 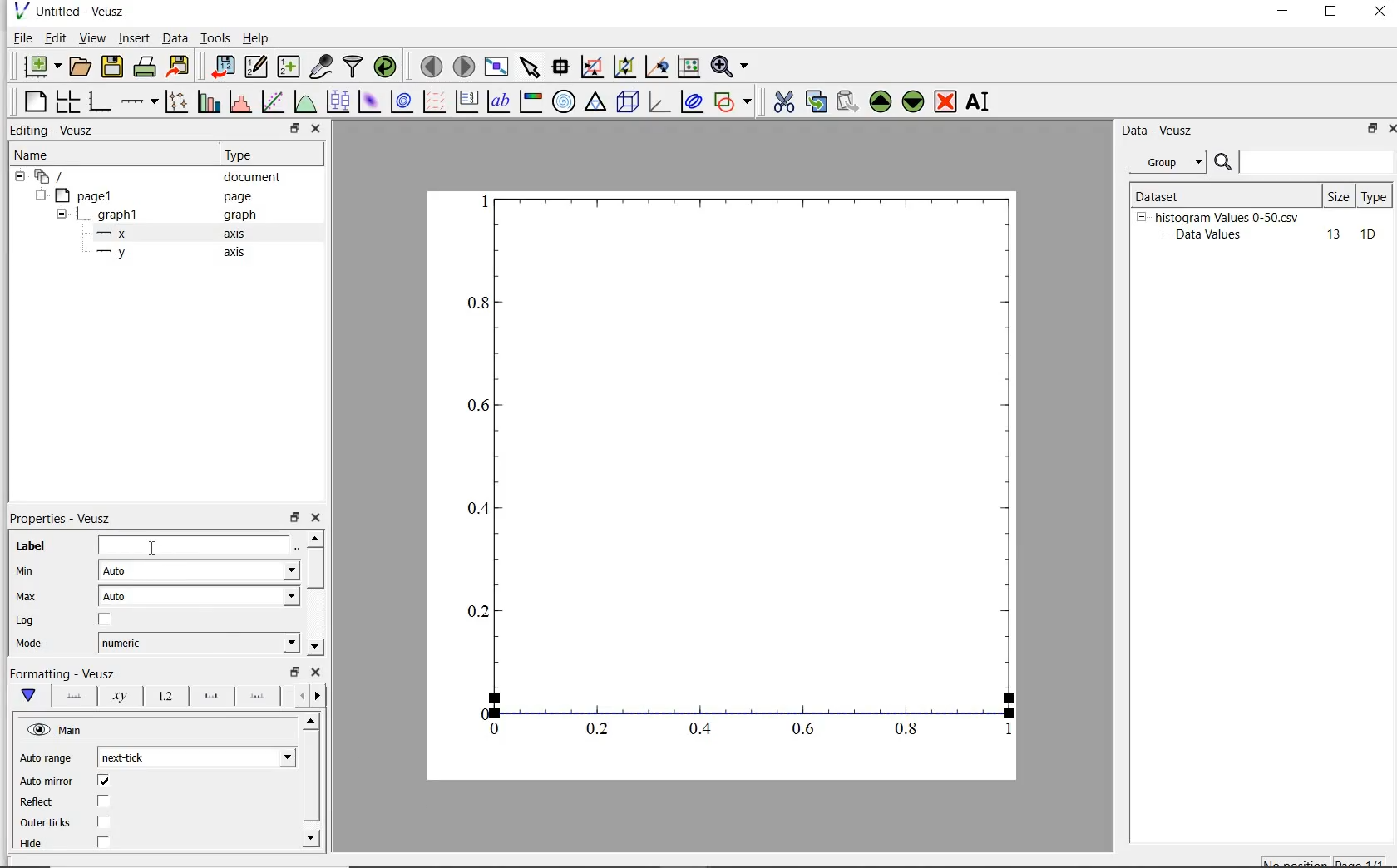 What do you see at coordinates (256, 66) in the screenshot?
I see `edit and create new datasets` at bounding box center [256, 66].